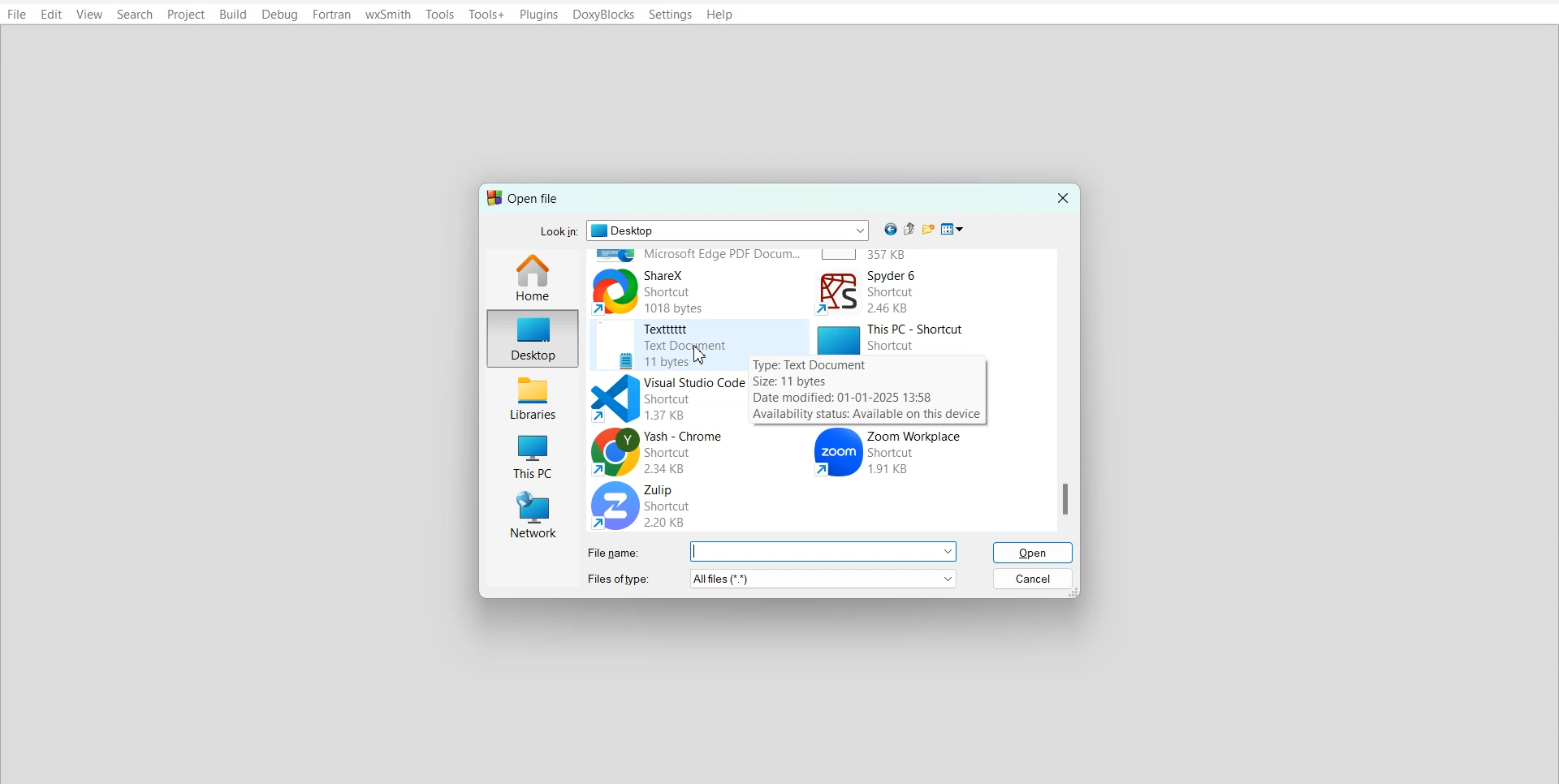  What do you see at coordinates (233, 15) in the screenshot?
I see `Build` at bounding box center [233, 15].